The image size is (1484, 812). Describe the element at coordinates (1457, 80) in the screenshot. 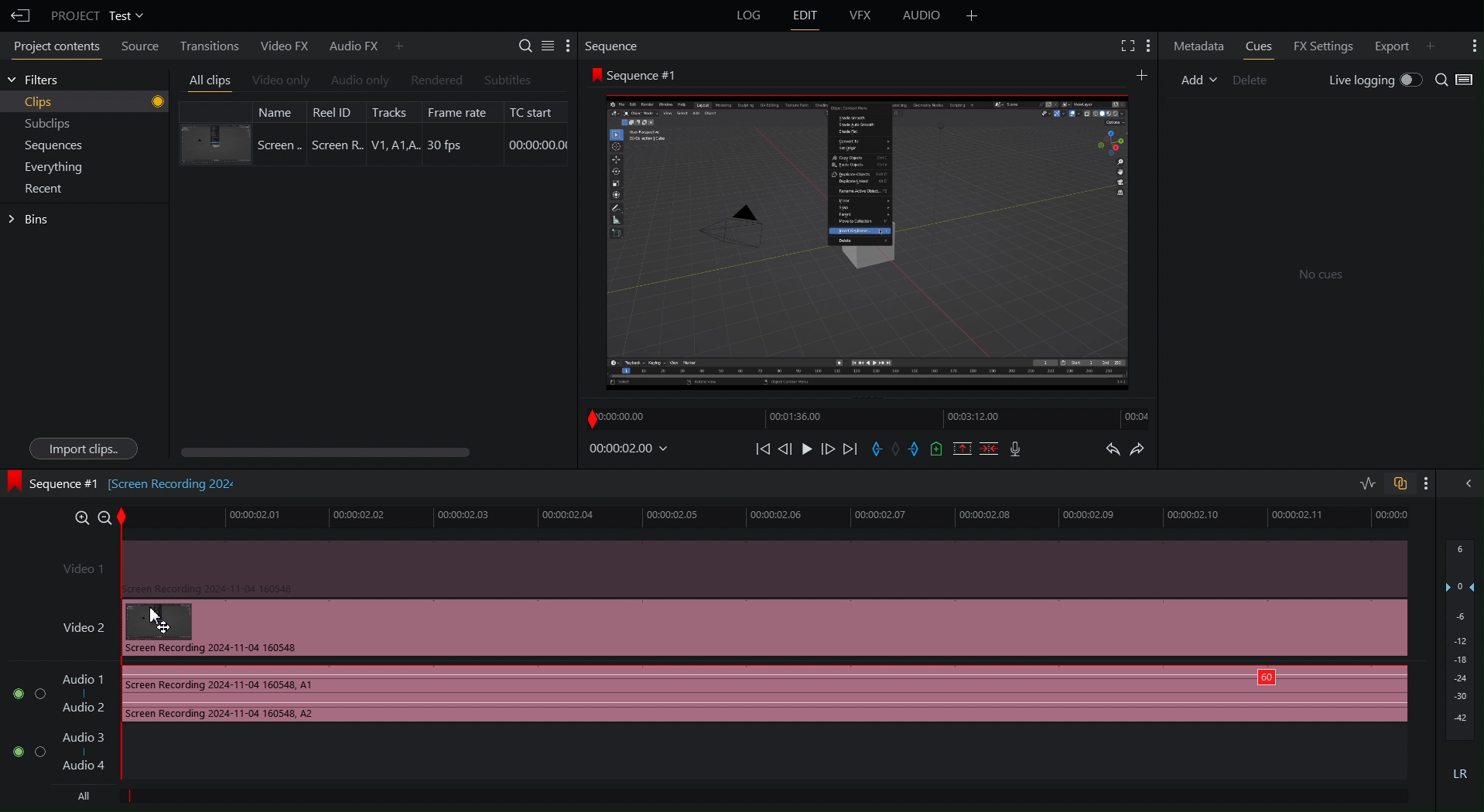

I see `Search` at that location.